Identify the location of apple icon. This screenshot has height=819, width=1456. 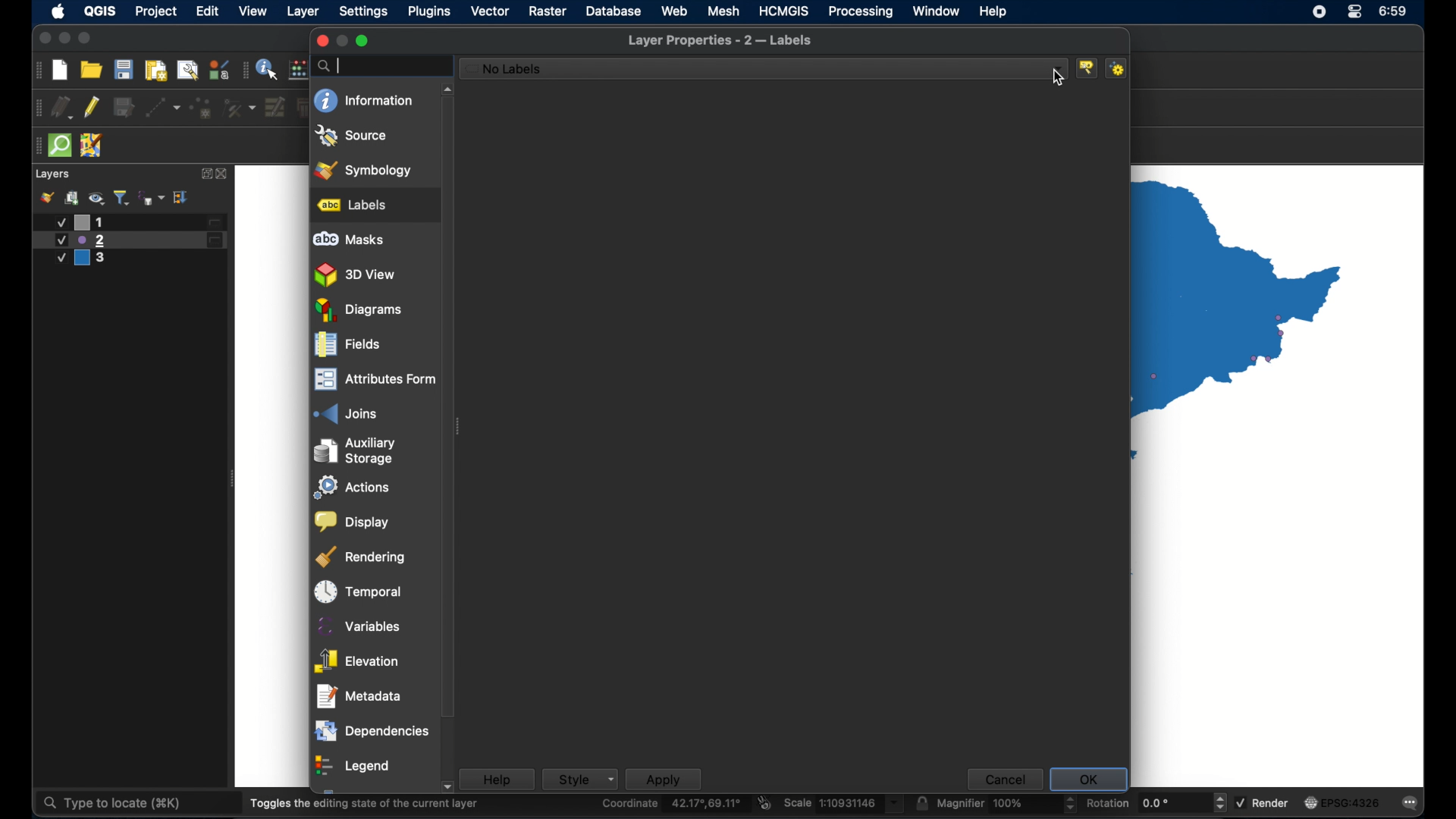
(59, 11).